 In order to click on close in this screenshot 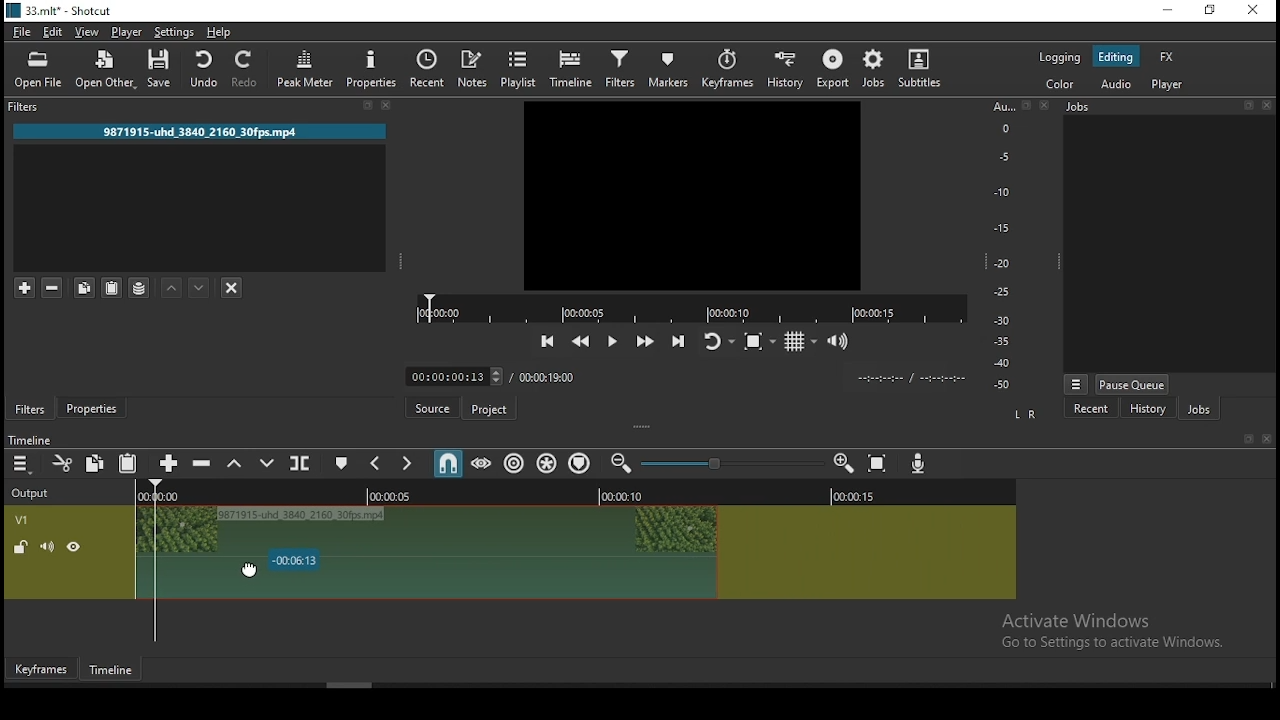, I will do `click(1270, 439)`.